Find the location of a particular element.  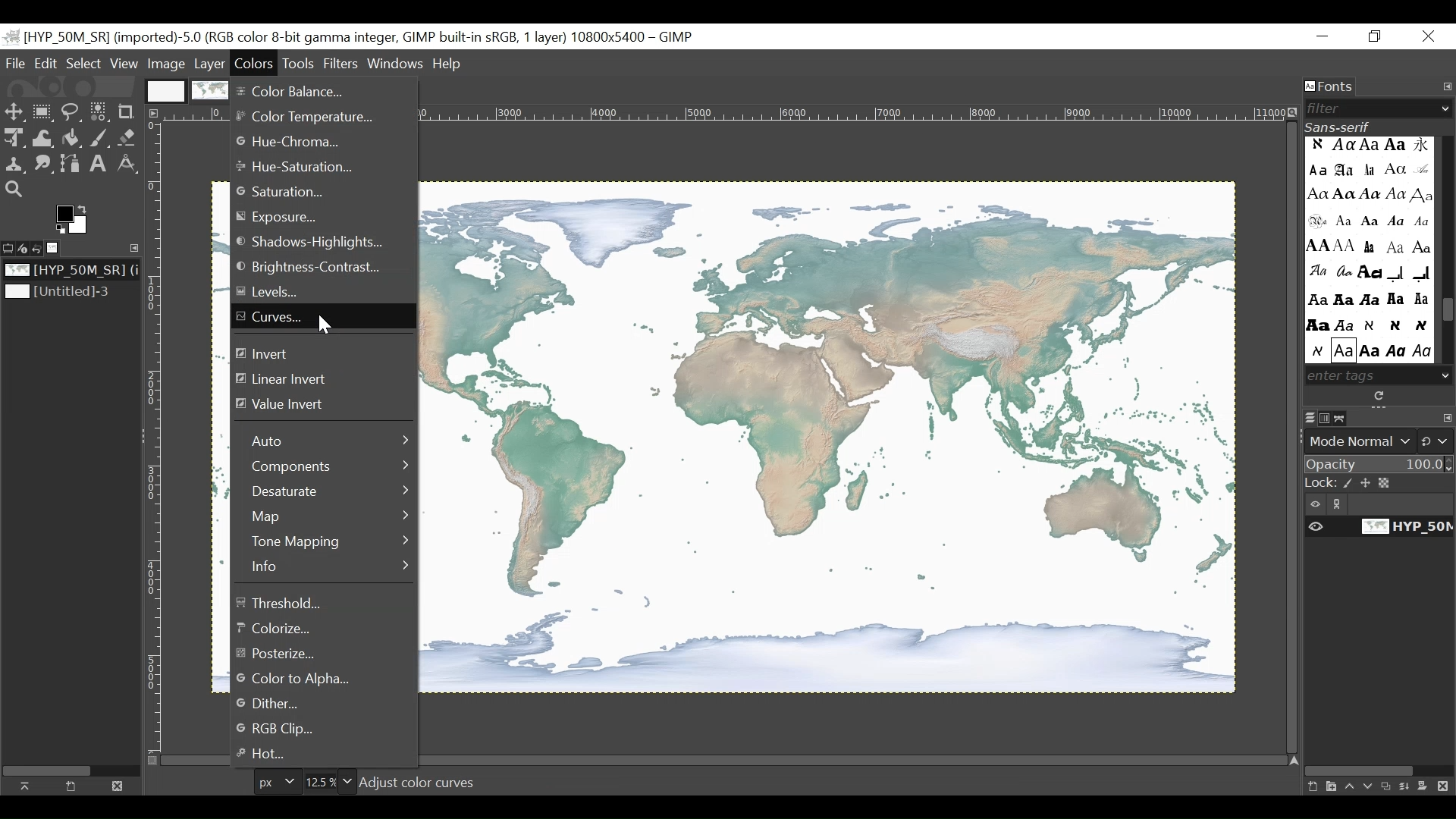

Channels is located at coordinates (1328, 418).